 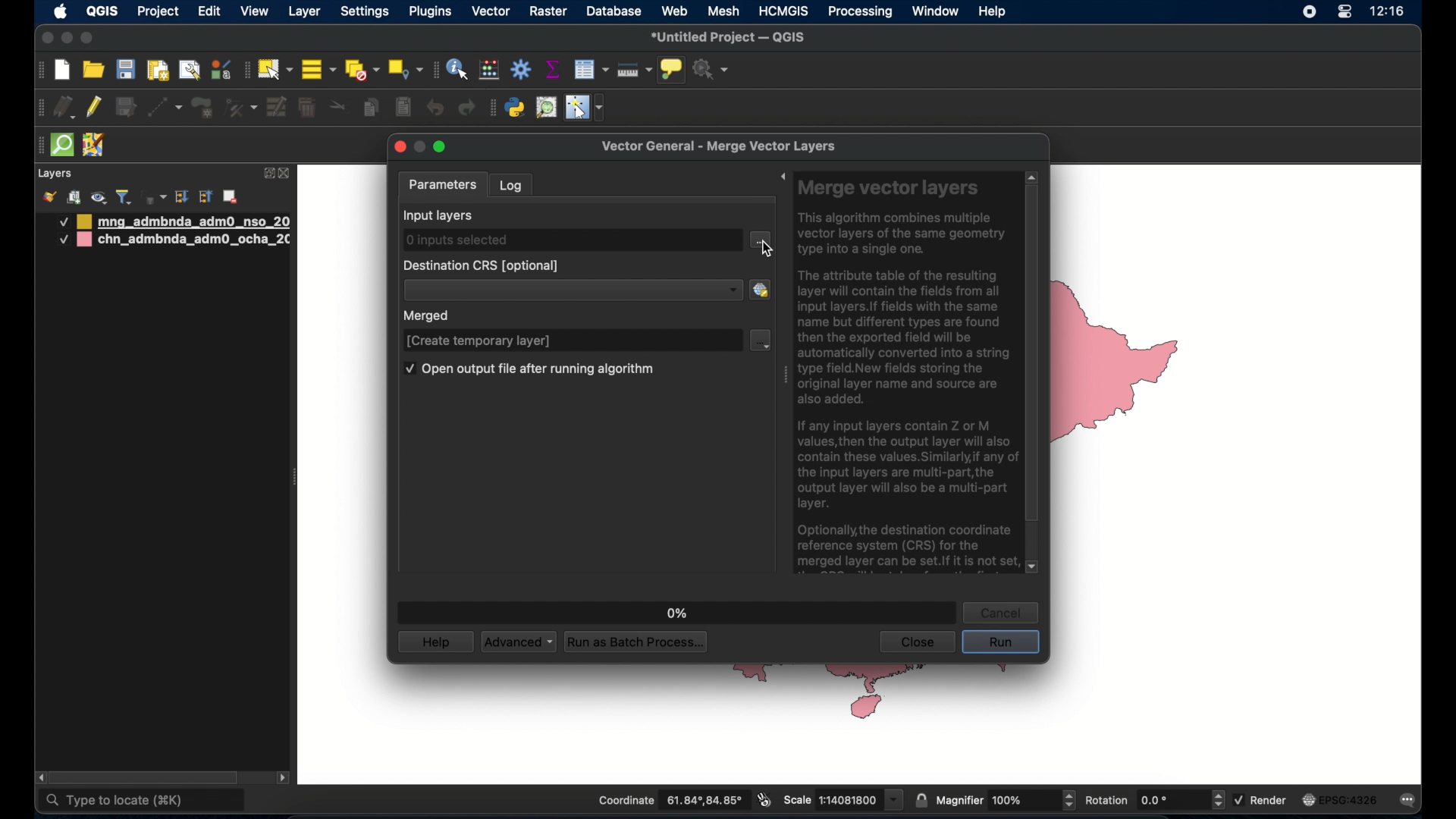 What do you see at coordinates (209, 13) in the screenshot?
I see `edit` at bounding box center [209, 13].